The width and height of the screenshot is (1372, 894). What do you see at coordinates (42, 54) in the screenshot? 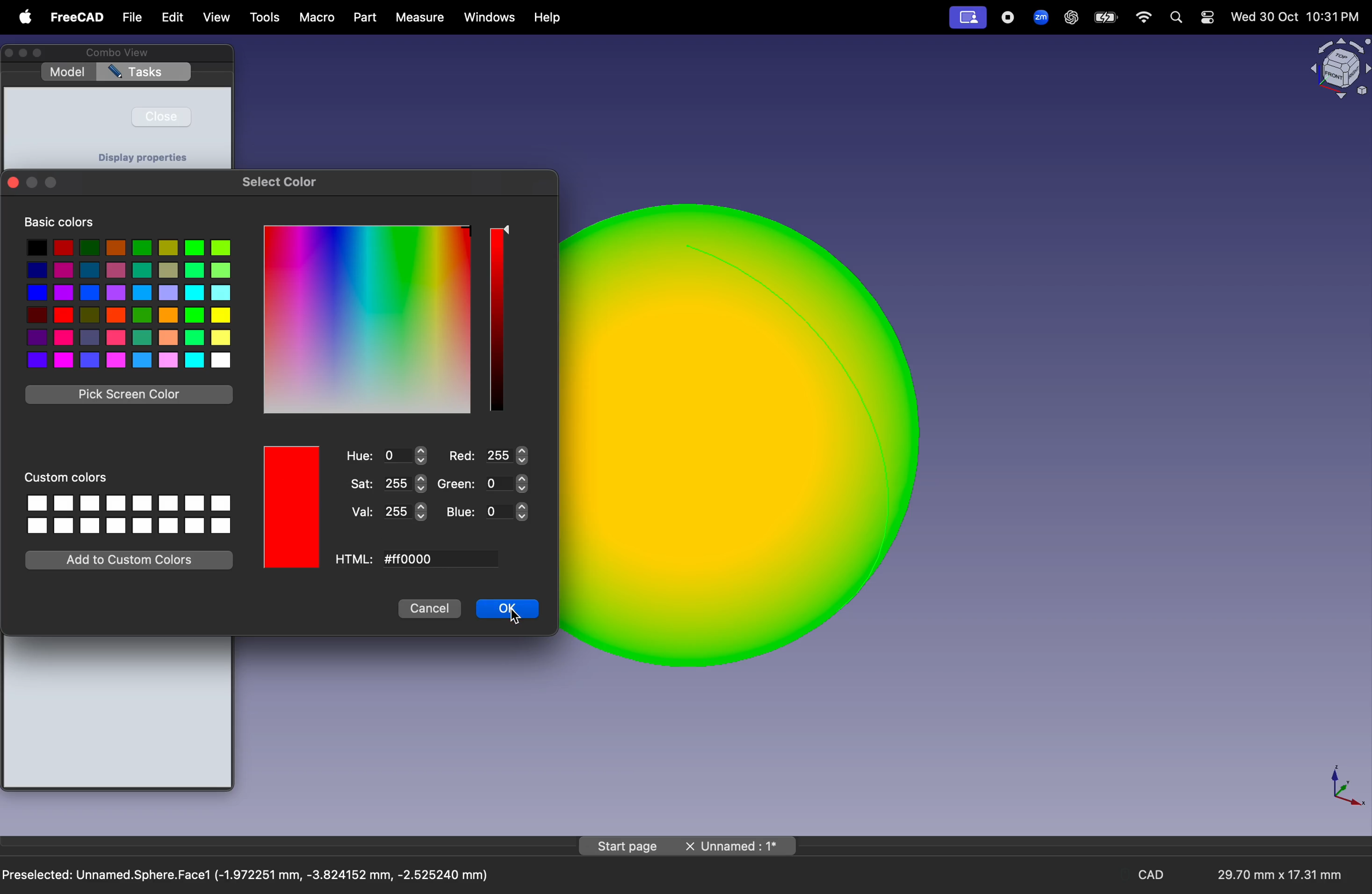
I see `Enter full screen` at bounding box center [42, 54].